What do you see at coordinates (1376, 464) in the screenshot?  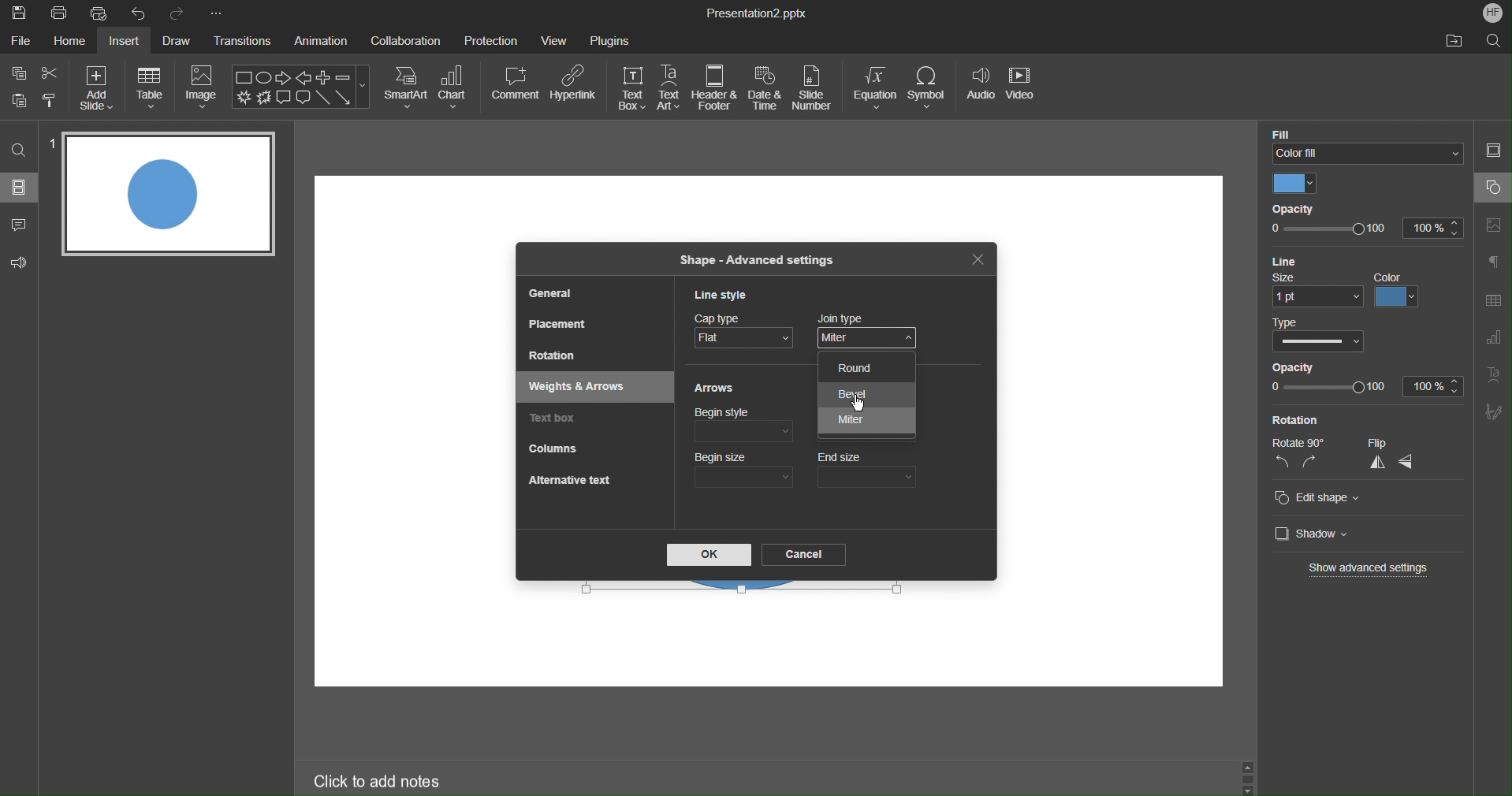 I see `vertical` at bounding box center [1376, 464].